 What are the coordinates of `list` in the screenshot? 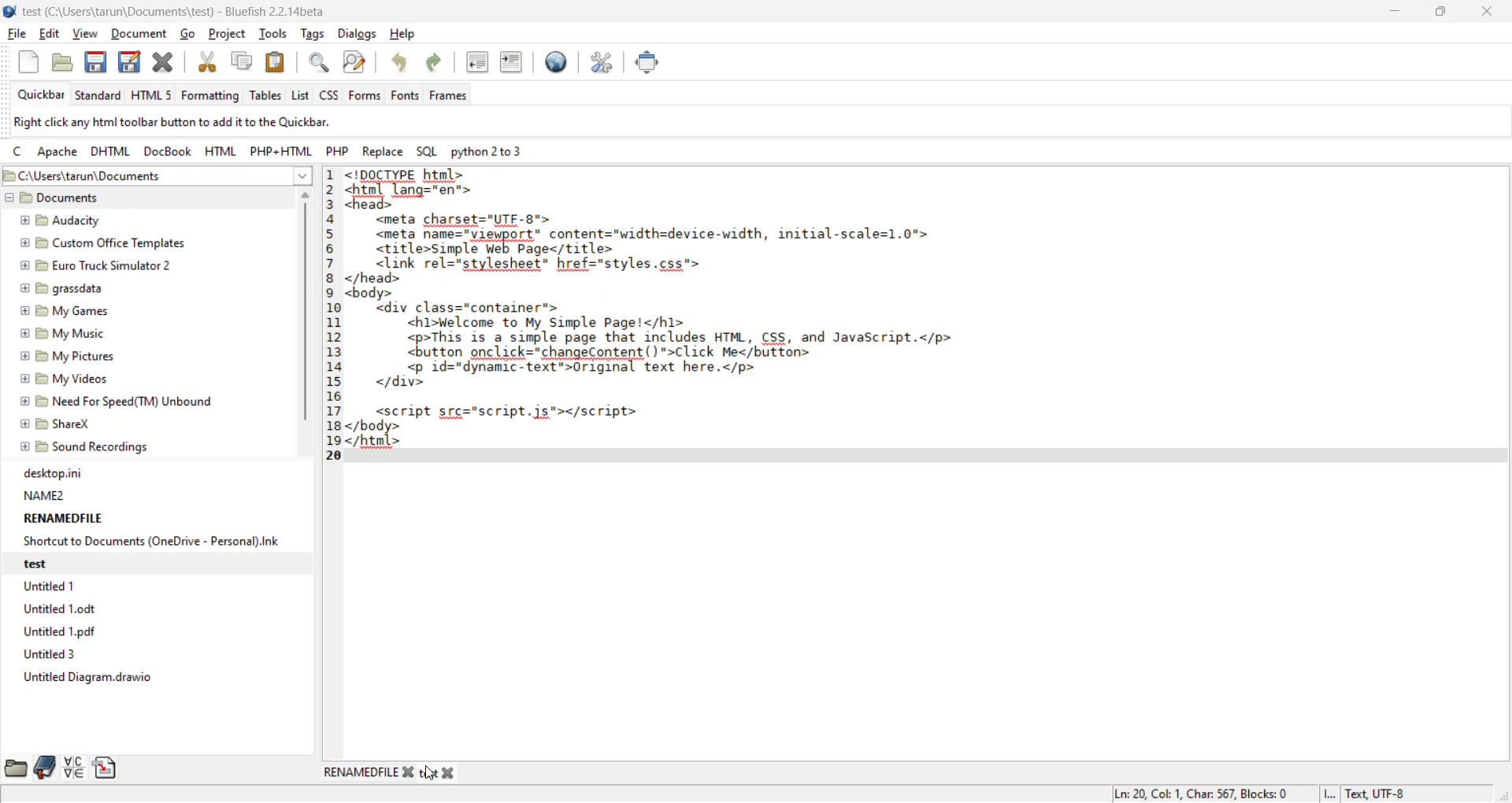 It's located at (301, 94).